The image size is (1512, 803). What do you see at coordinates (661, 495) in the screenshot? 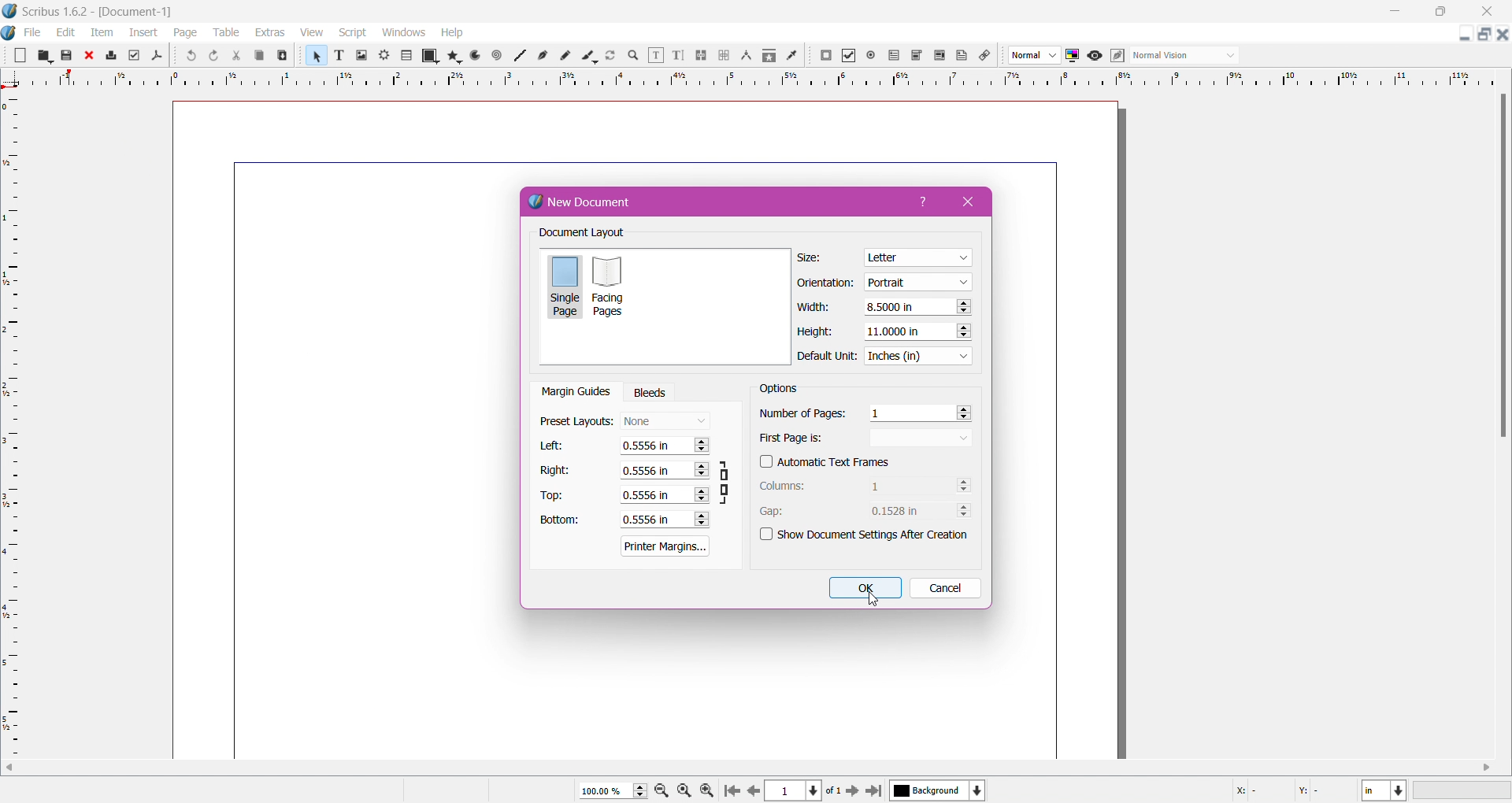
I see `0.5556in [$1` at bounding box center [661, 495].